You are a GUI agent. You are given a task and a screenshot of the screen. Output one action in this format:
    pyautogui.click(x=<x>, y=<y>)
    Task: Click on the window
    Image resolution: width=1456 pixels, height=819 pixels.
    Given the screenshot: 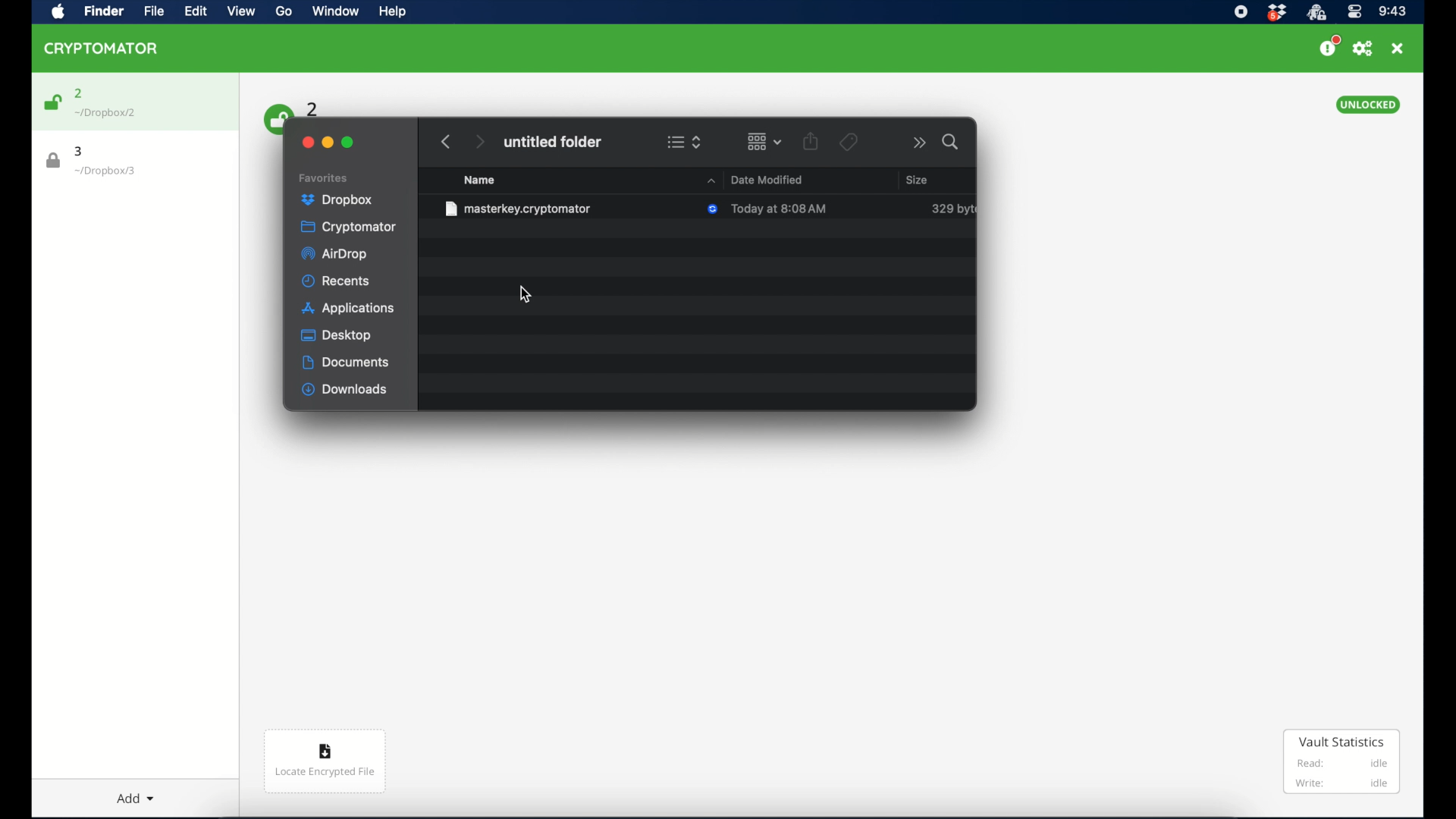 What is the action you would take?
    pyautogui.click(x=334, y=13)
    